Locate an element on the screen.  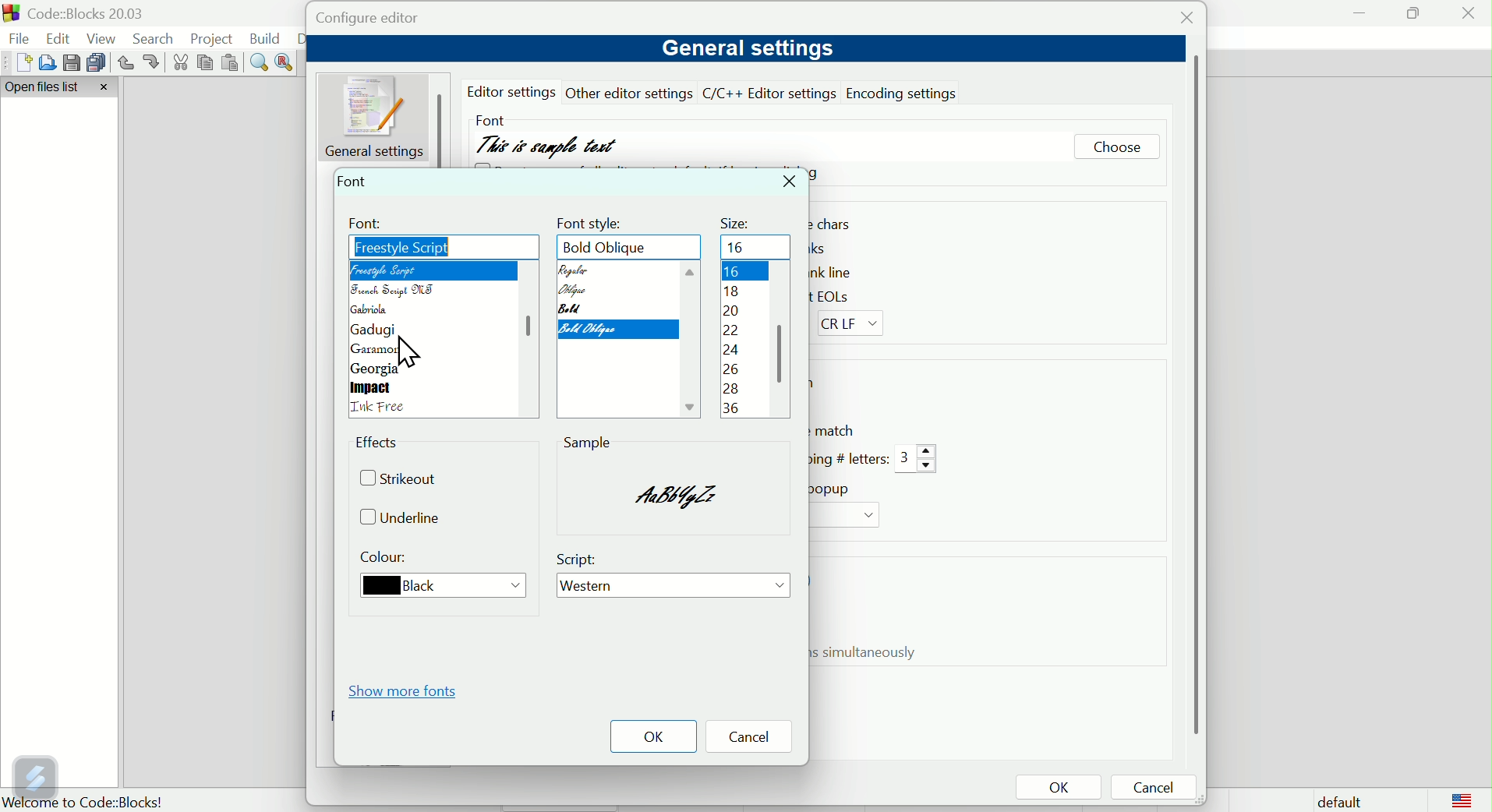
Close is located at coordinates (1469, 17).